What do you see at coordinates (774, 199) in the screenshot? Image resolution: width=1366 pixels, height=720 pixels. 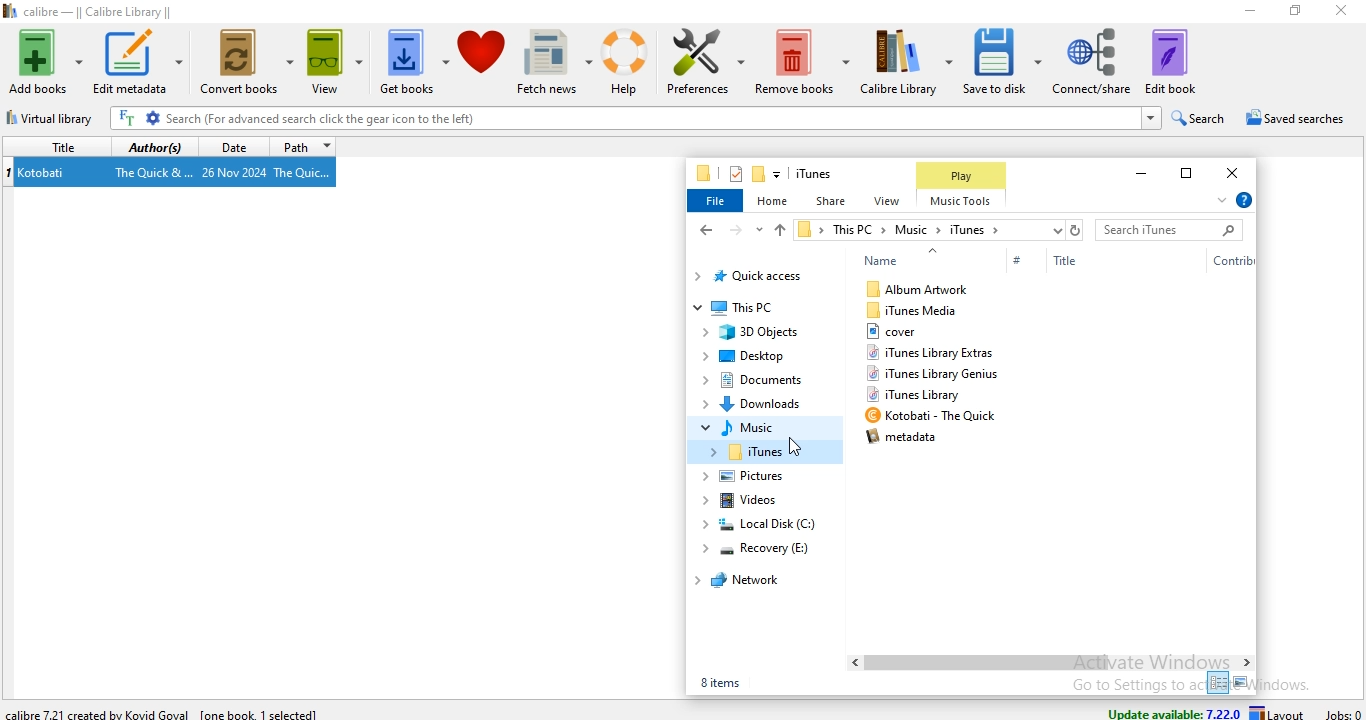 I see `home` at bounding box center [774, 199].